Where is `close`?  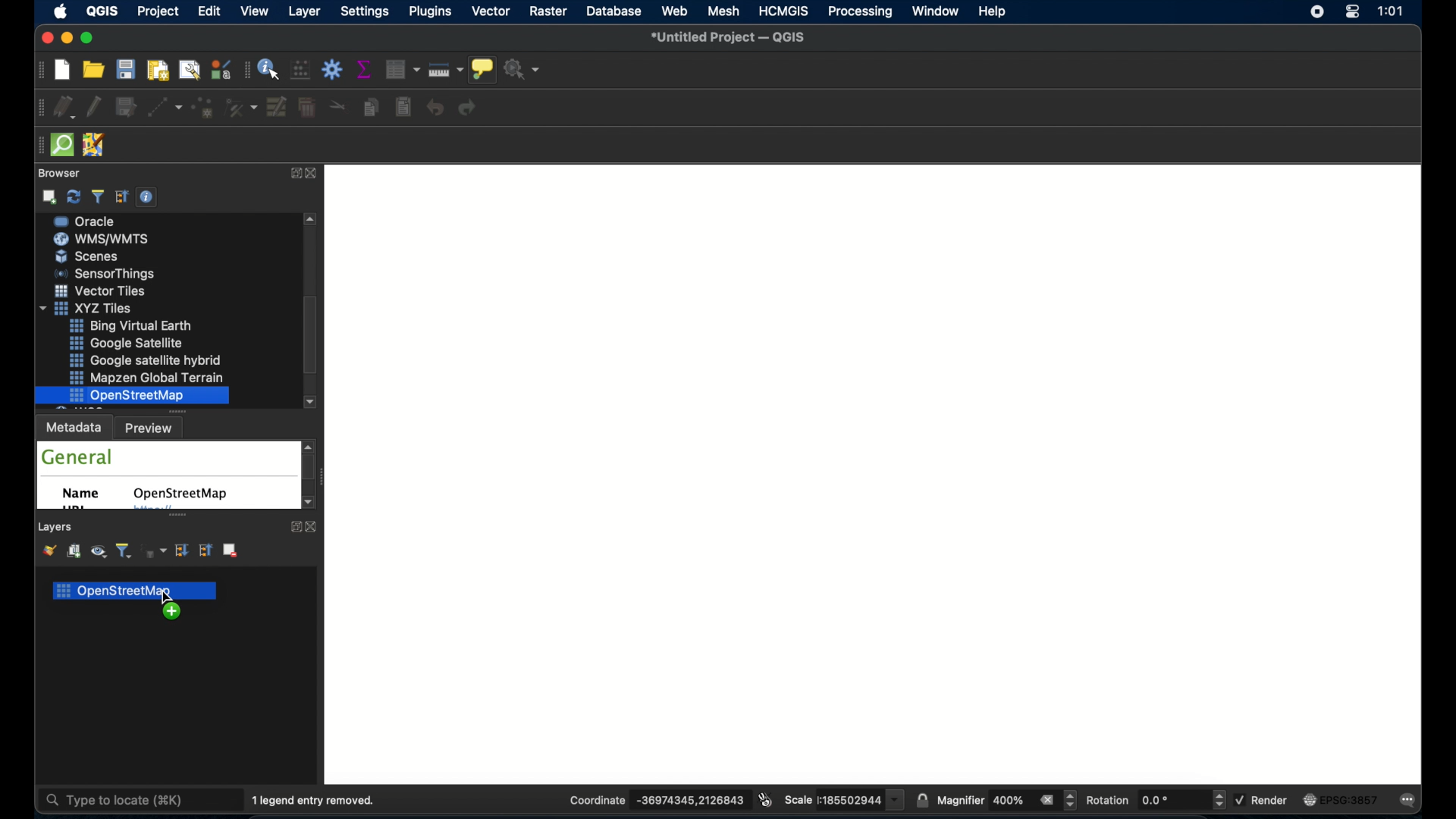
close is located at coordinates (45, 38).